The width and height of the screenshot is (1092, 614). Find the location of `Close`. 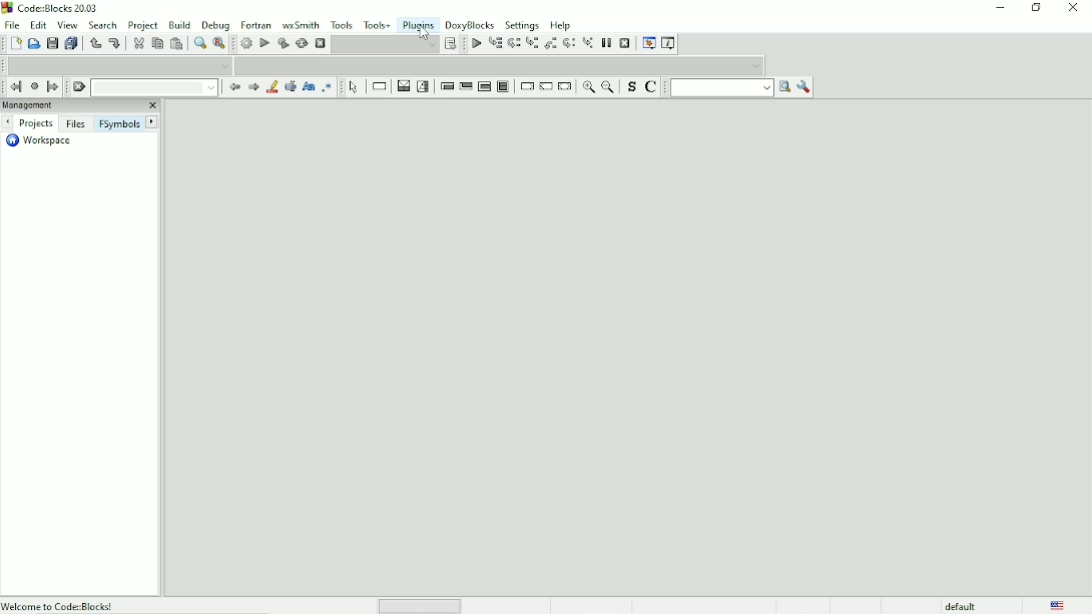

Close is located at coordinates (1074, 8).